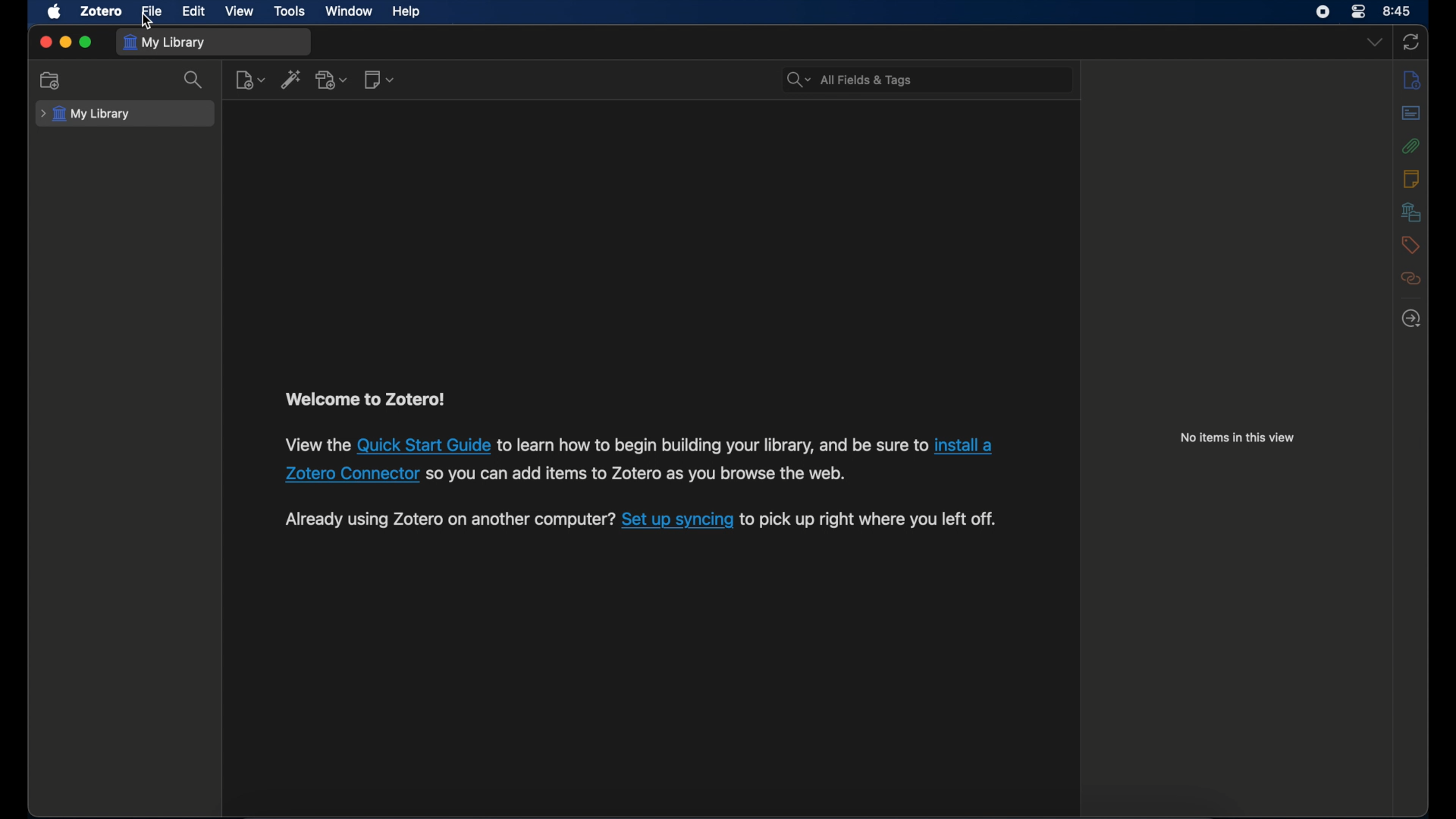  I want to click on quick start guide link, so click(422, 444).